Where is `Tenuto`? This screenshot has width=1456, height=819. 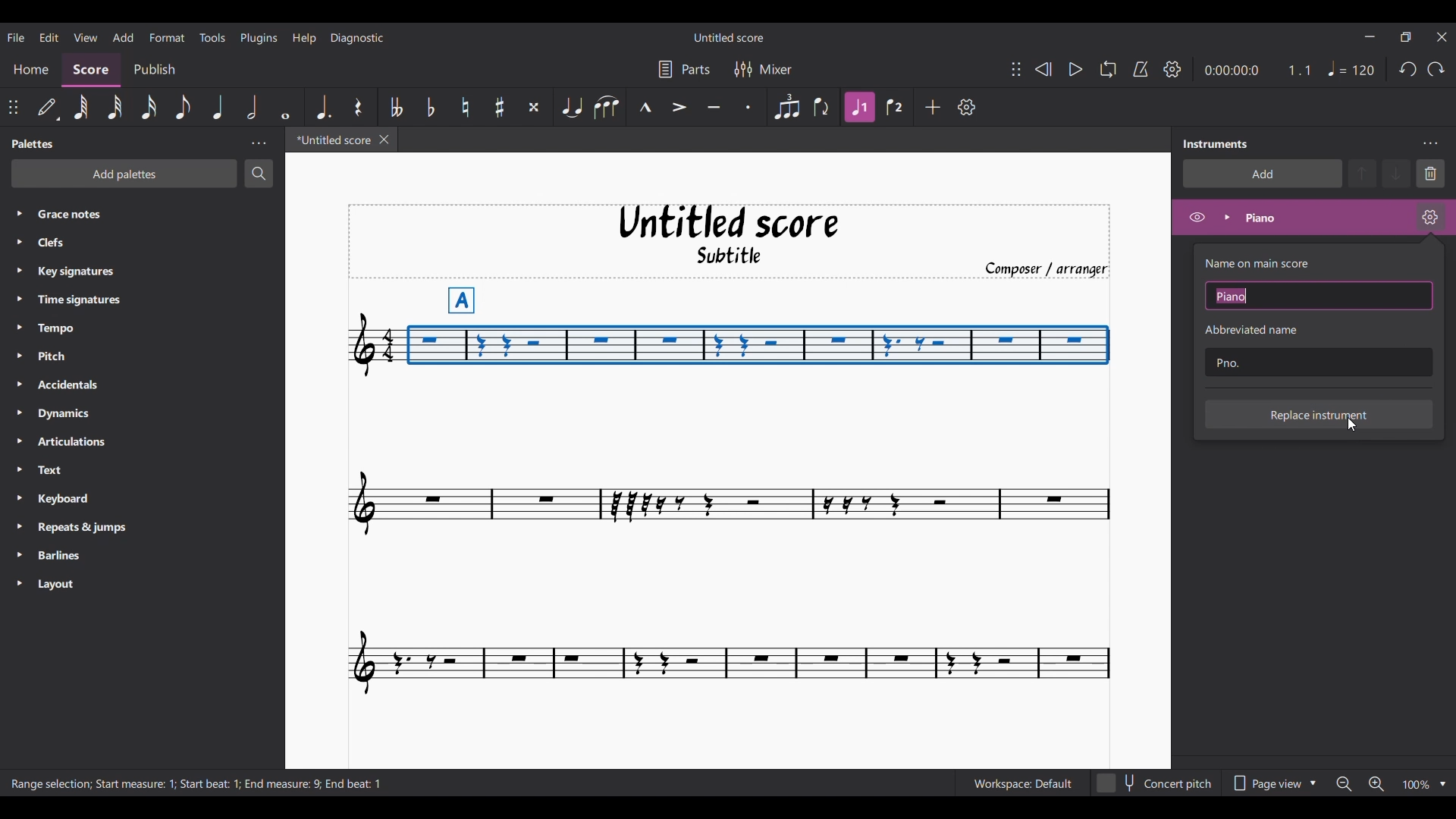 Tenuto is located at coordinates (714, 106).